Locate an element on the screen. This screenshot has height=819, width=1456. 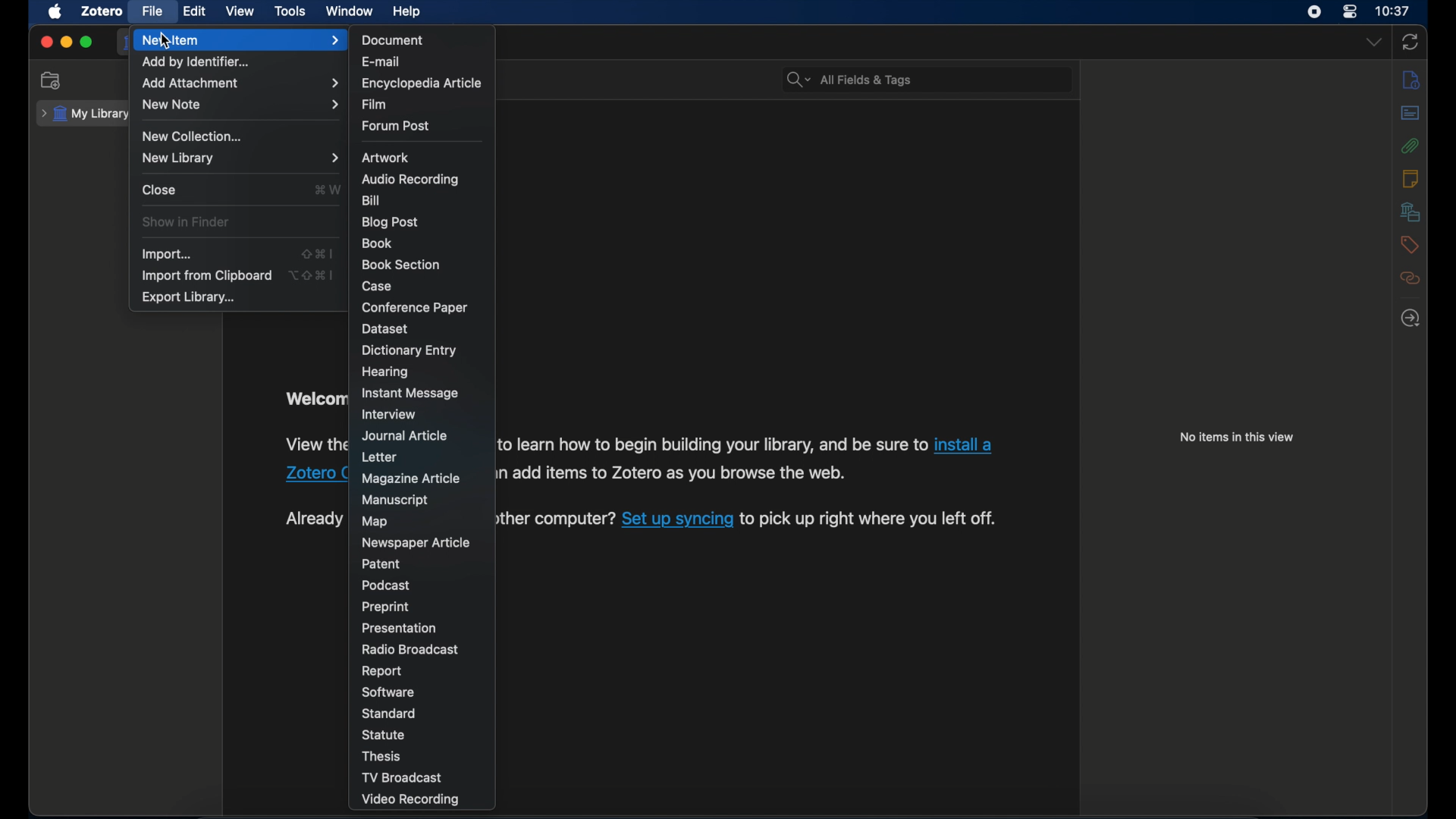
dictionary entry is located at coordinates (408, 350).